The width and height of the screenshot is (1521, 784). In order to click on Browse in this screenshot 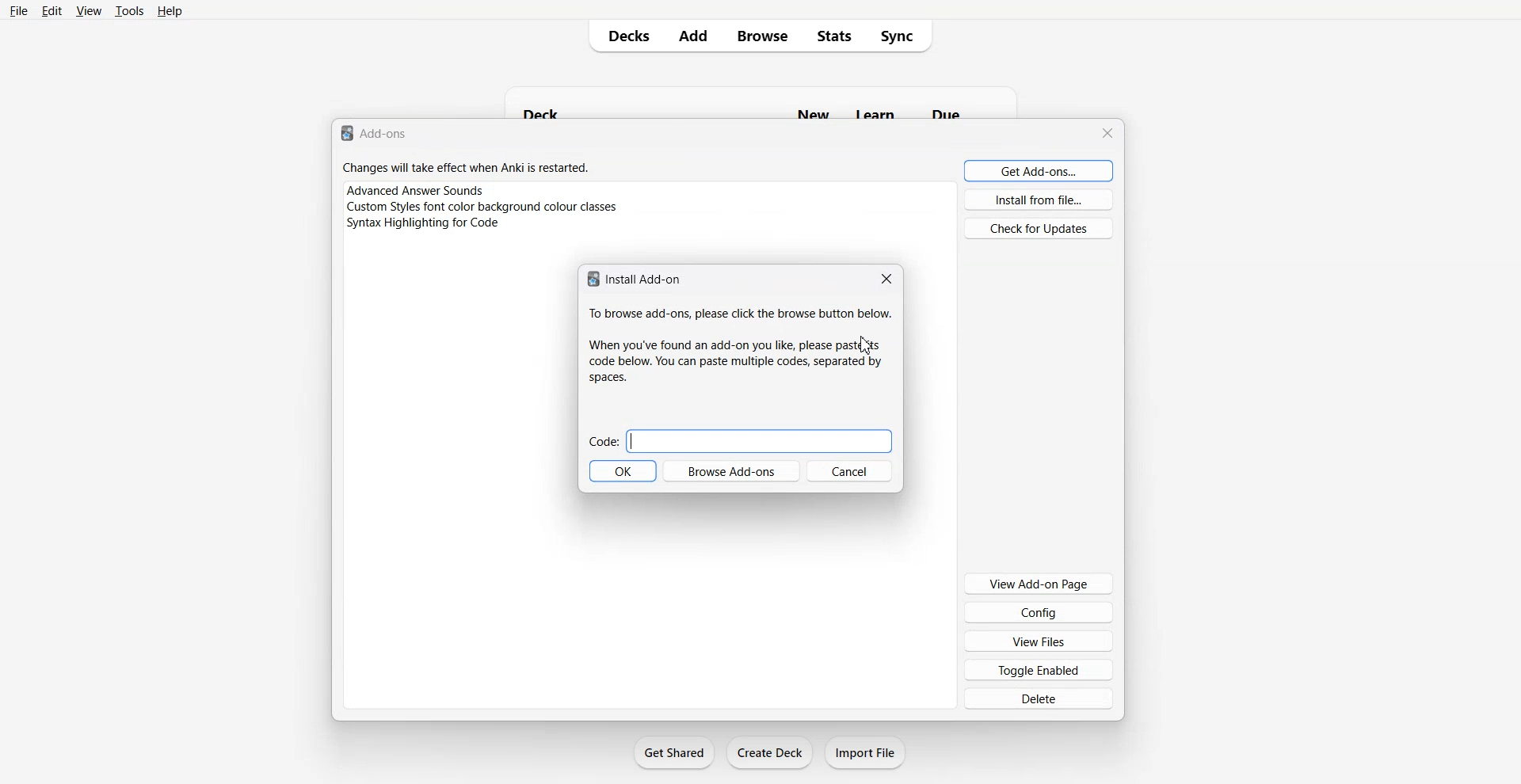, I will do `click(763, 36)`.